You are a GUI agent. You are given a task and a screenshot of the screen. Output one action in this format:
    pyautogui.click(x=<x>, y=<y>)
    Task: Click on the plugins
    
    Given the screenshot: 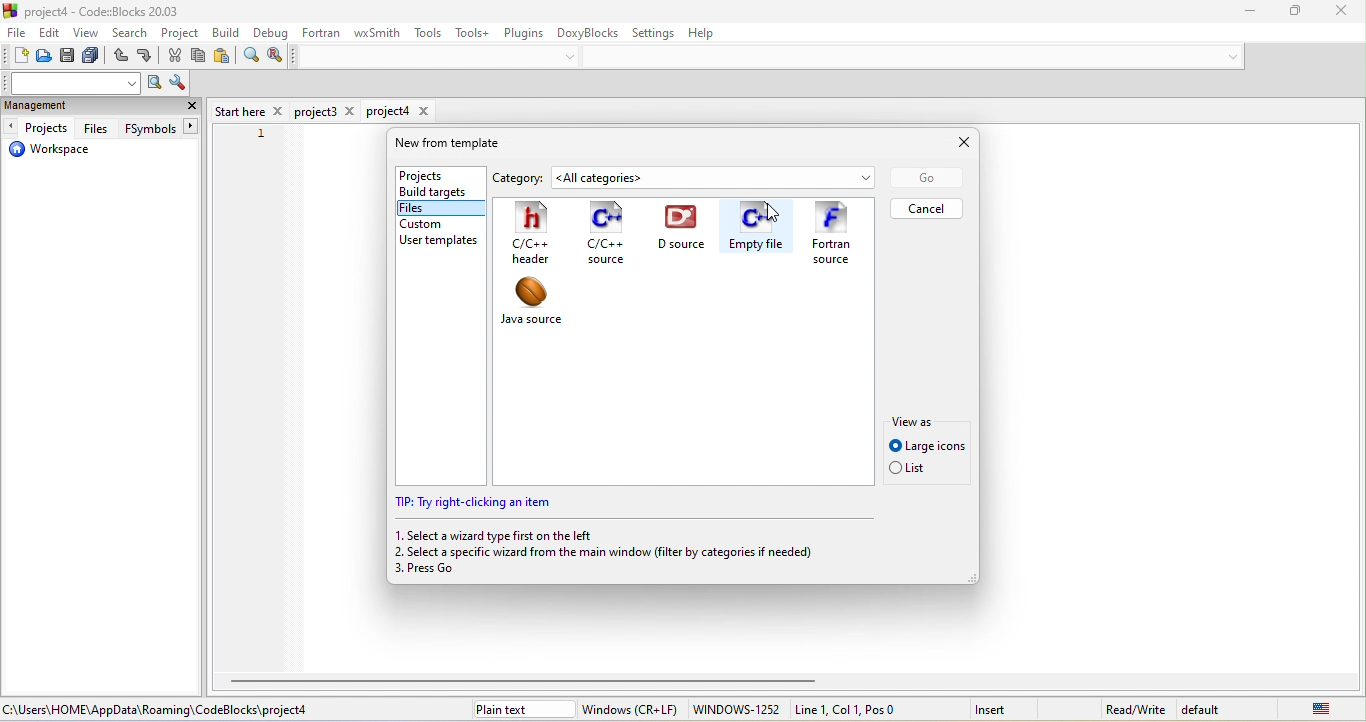 What is the action you would take?
    pyautogui.click(x=522, y=31)
    